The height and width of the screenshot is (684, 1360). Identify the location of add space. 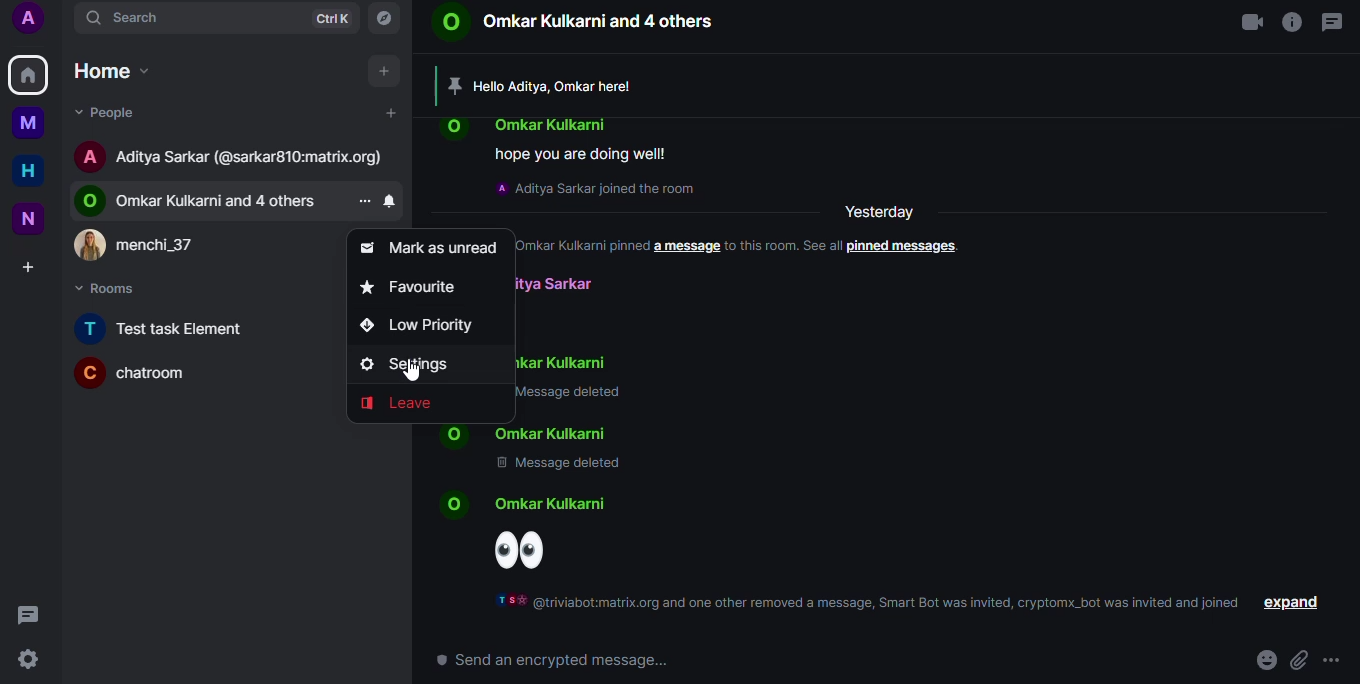
(36, 268).